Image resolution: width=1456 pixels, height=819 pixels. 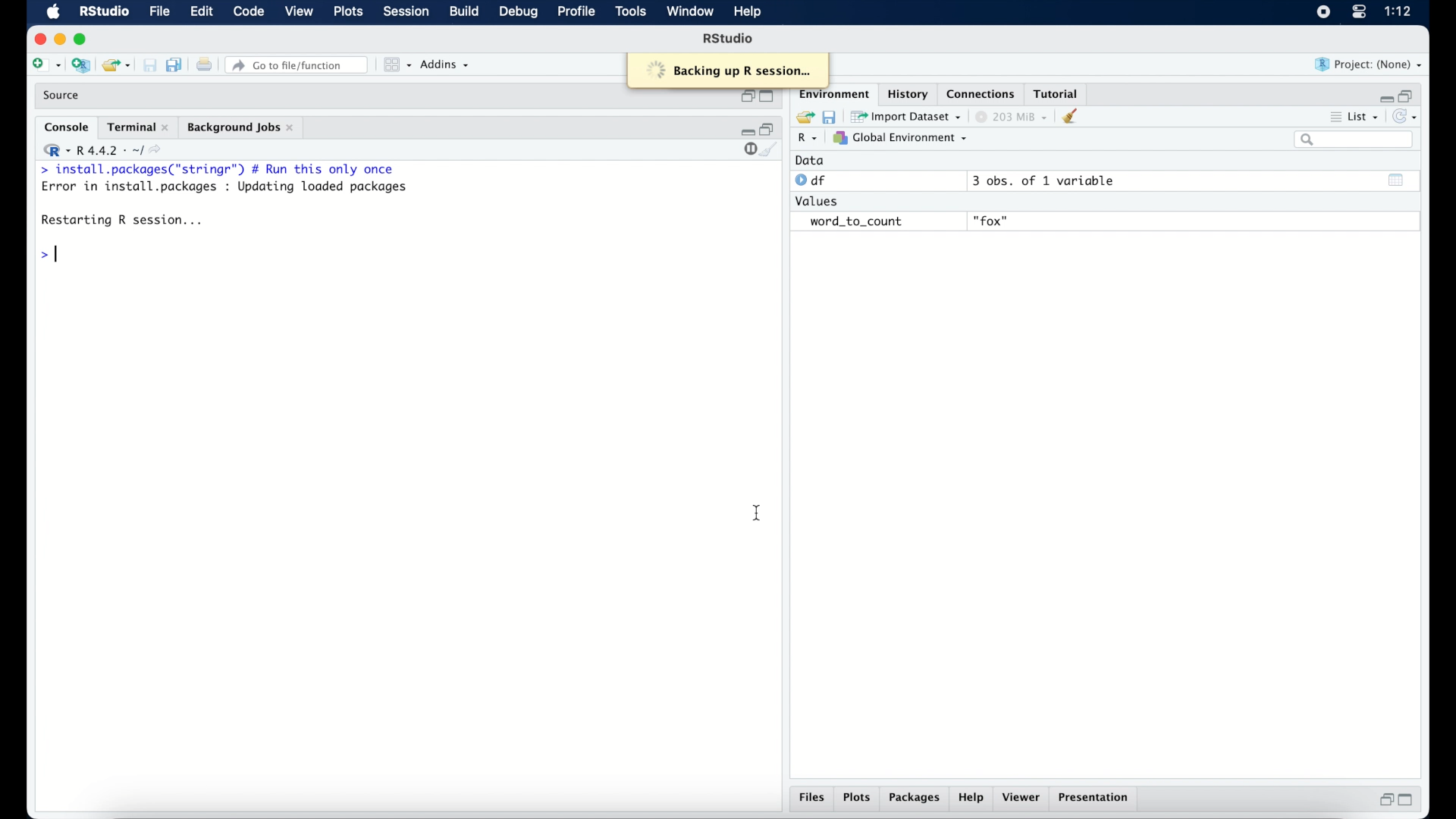 What do you see at coordinates (1096, 799) in the screenshot?
I see `presentation` at bounding box center [1096, 799].